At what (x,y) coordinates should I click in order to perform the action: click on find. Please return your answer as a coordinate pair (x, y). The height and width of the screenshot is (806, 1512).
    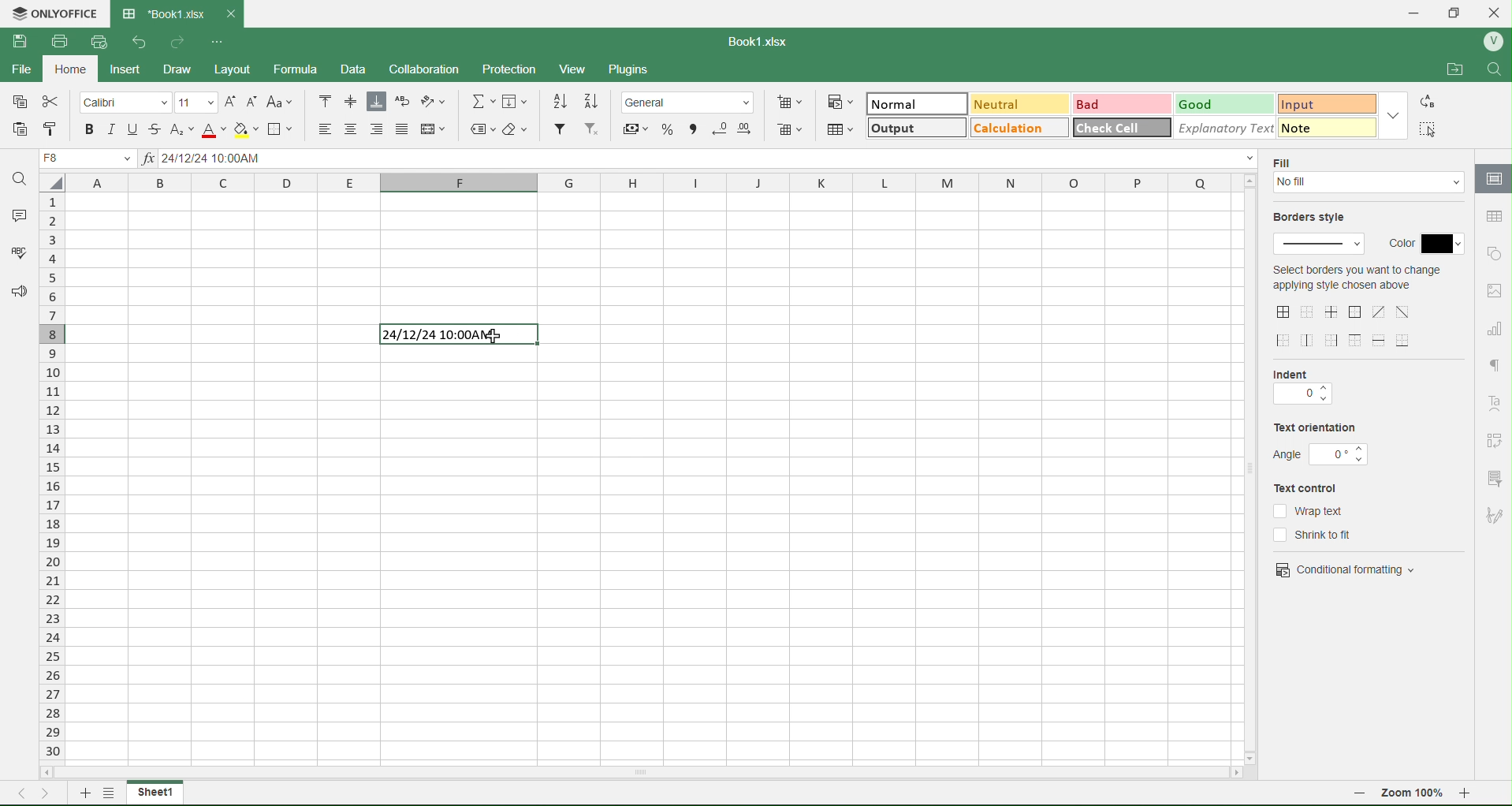
    Looking at the image, I should click on (1499, 69).